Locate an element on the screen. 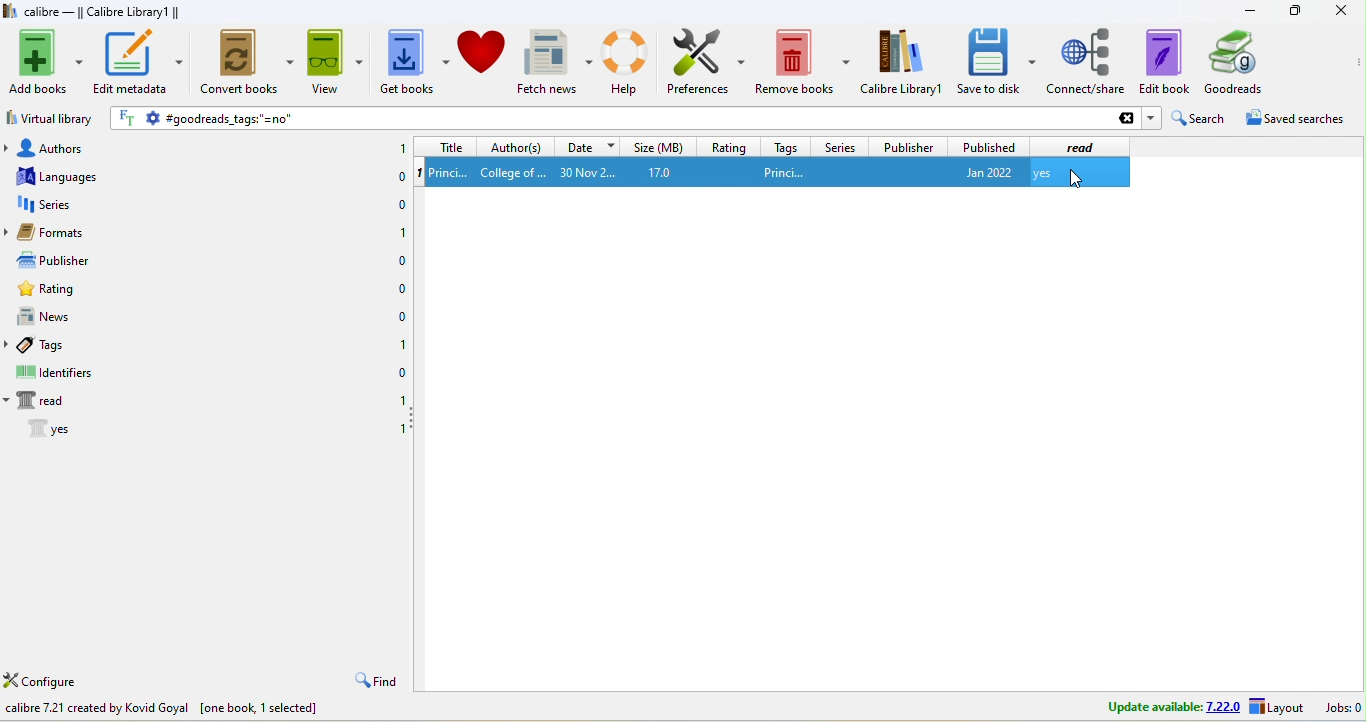  logo is located at coordinates (9, 10).